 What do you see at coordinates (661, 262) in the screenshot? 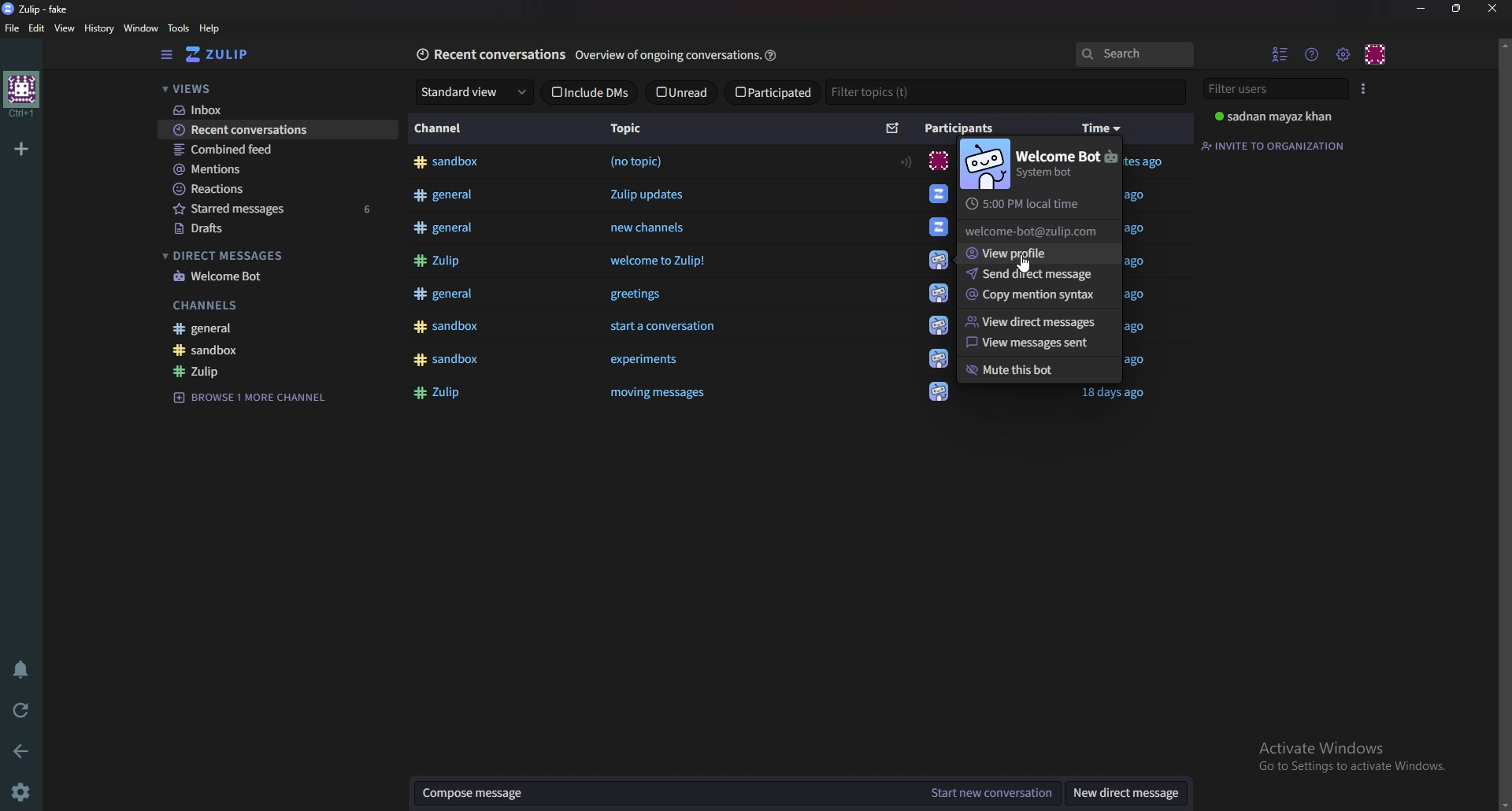
I see `welcome to Zulip!` at bounding box center [661, 262].